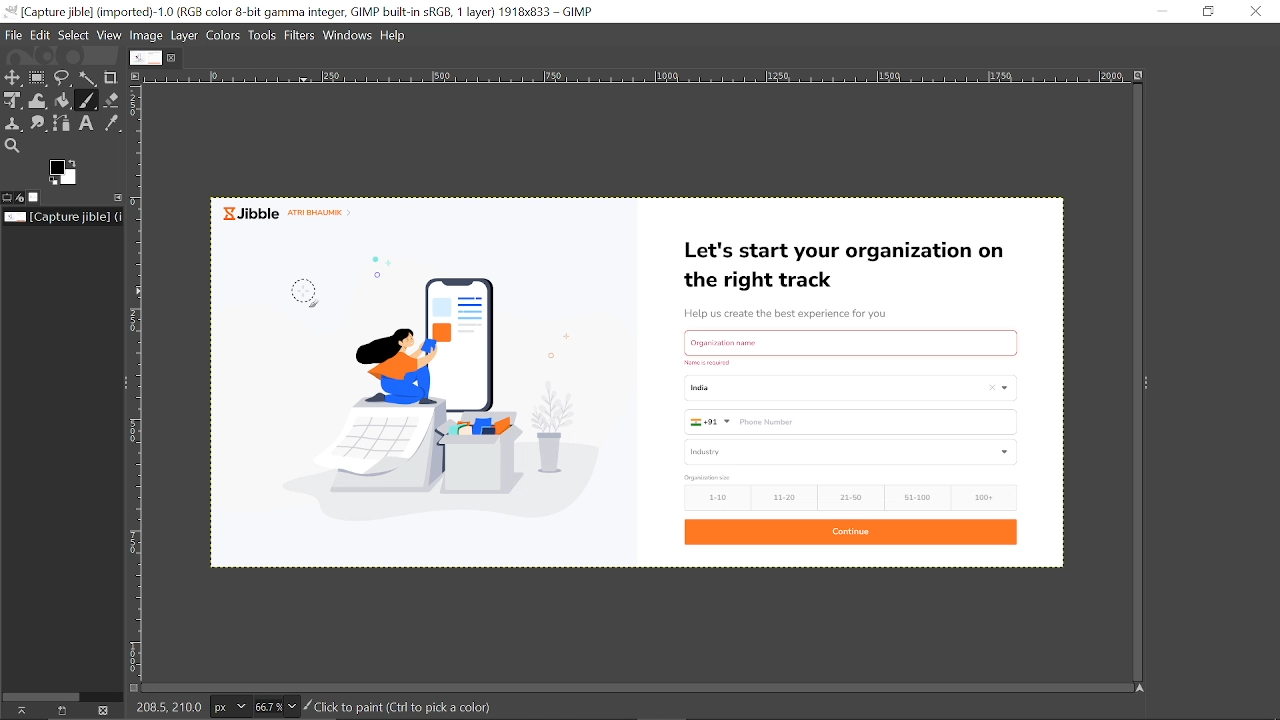 This screenshot has height=720, width=1280. I want to click on Click to paint(Ctrl to pick a color), so click(395, 708).